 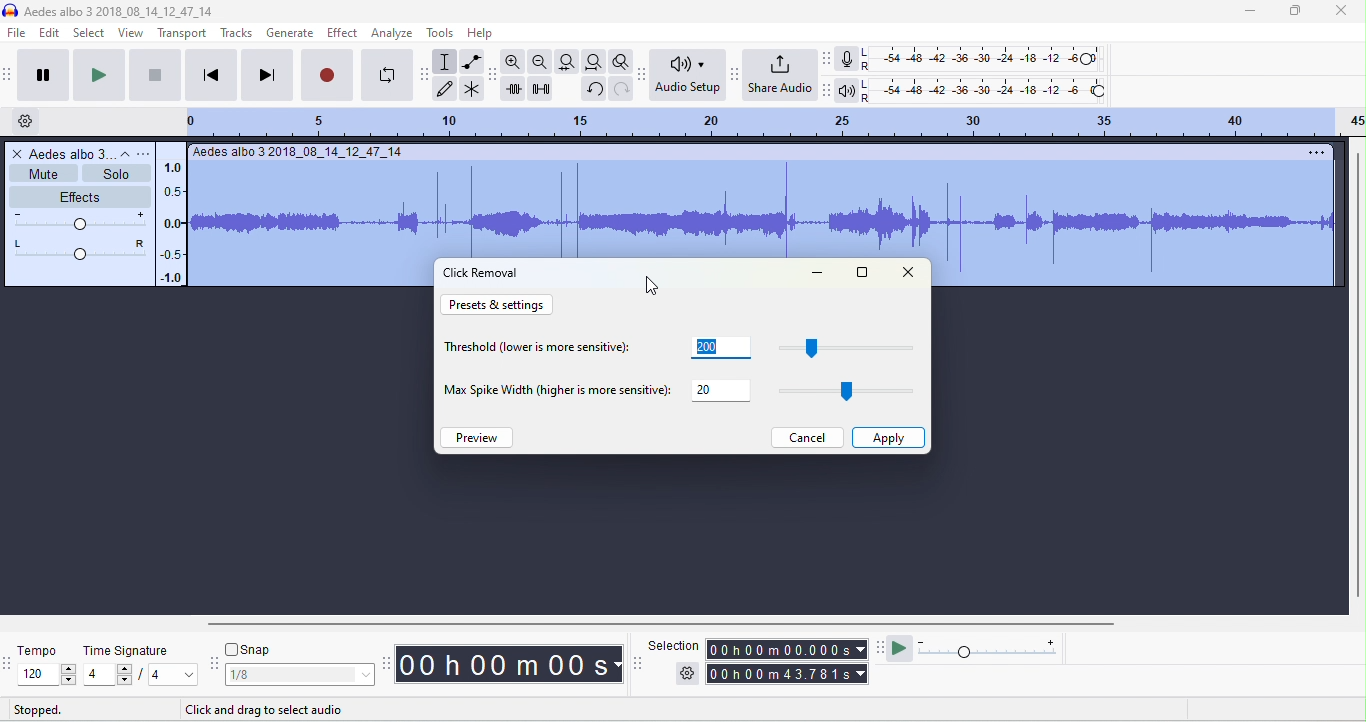 What do you see at coordinates (40, 175) in the screenshot?
I see `mute` at bounding box center [40, 175].